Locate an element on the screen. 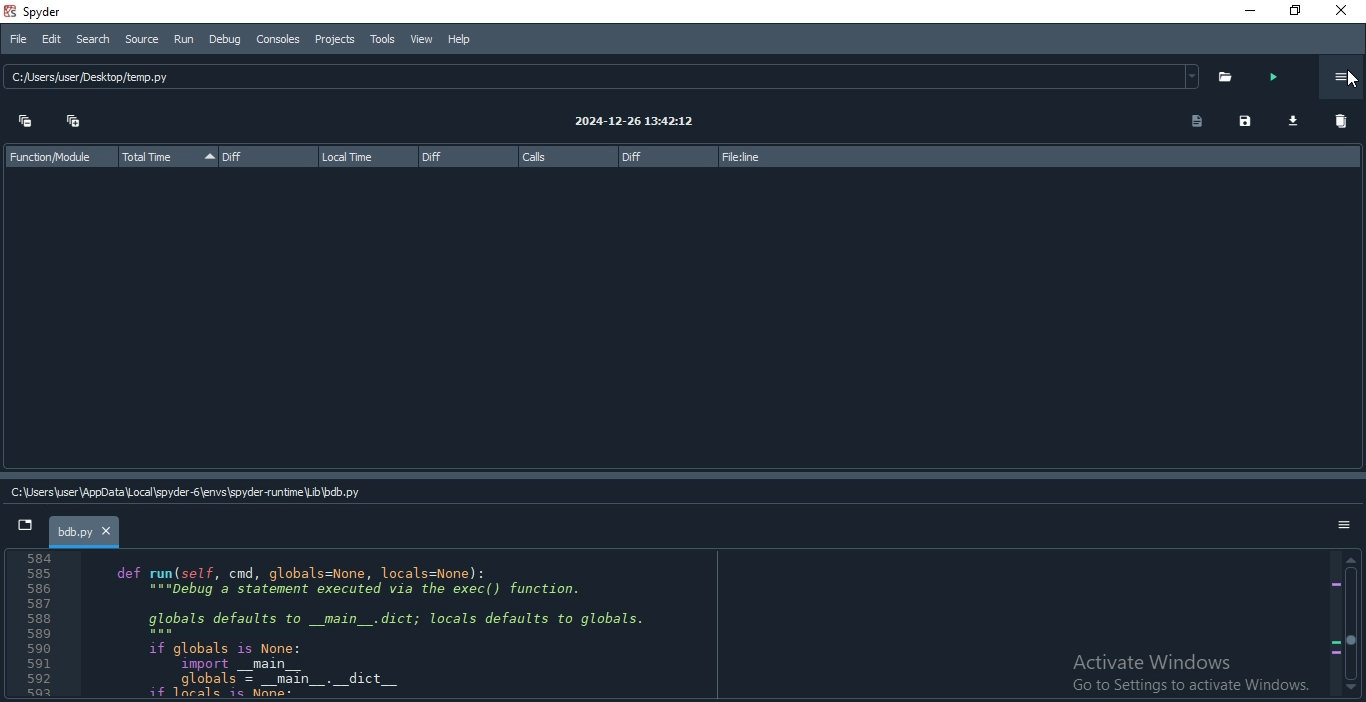 This screenshot has width=1366, height=702. save is located at coordinates (1243, 121).